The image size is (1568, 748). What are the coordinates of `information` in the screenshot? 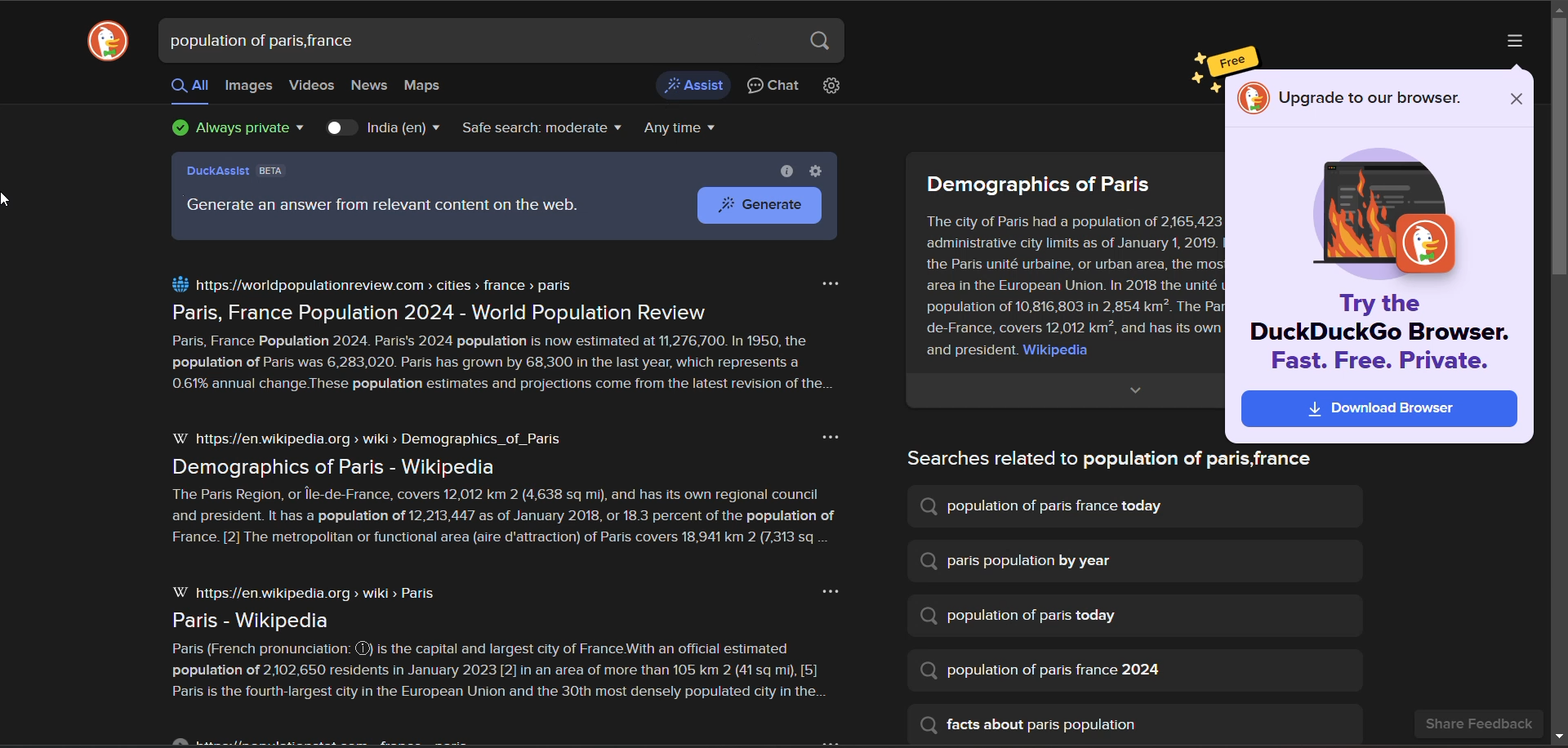 It's located at (783, 171).